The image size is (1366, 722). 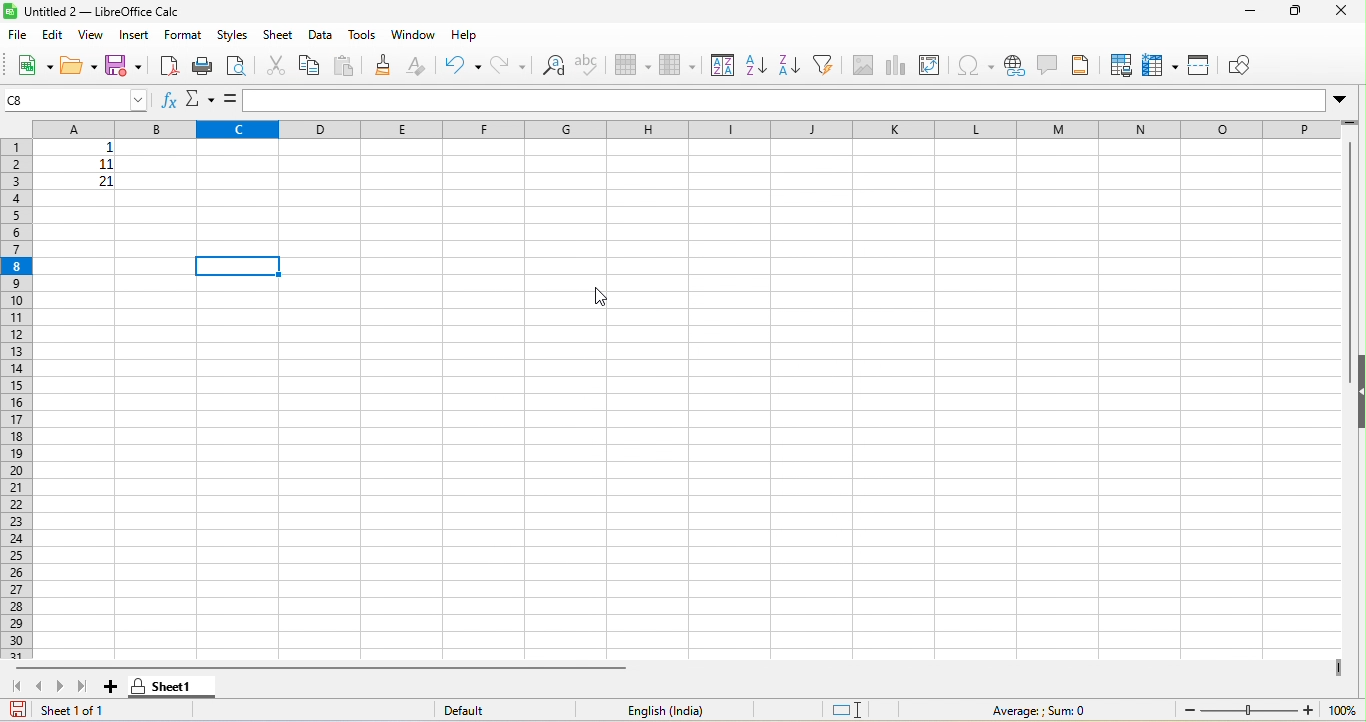 I want to click on find and replace, so click(x=561, y=65).